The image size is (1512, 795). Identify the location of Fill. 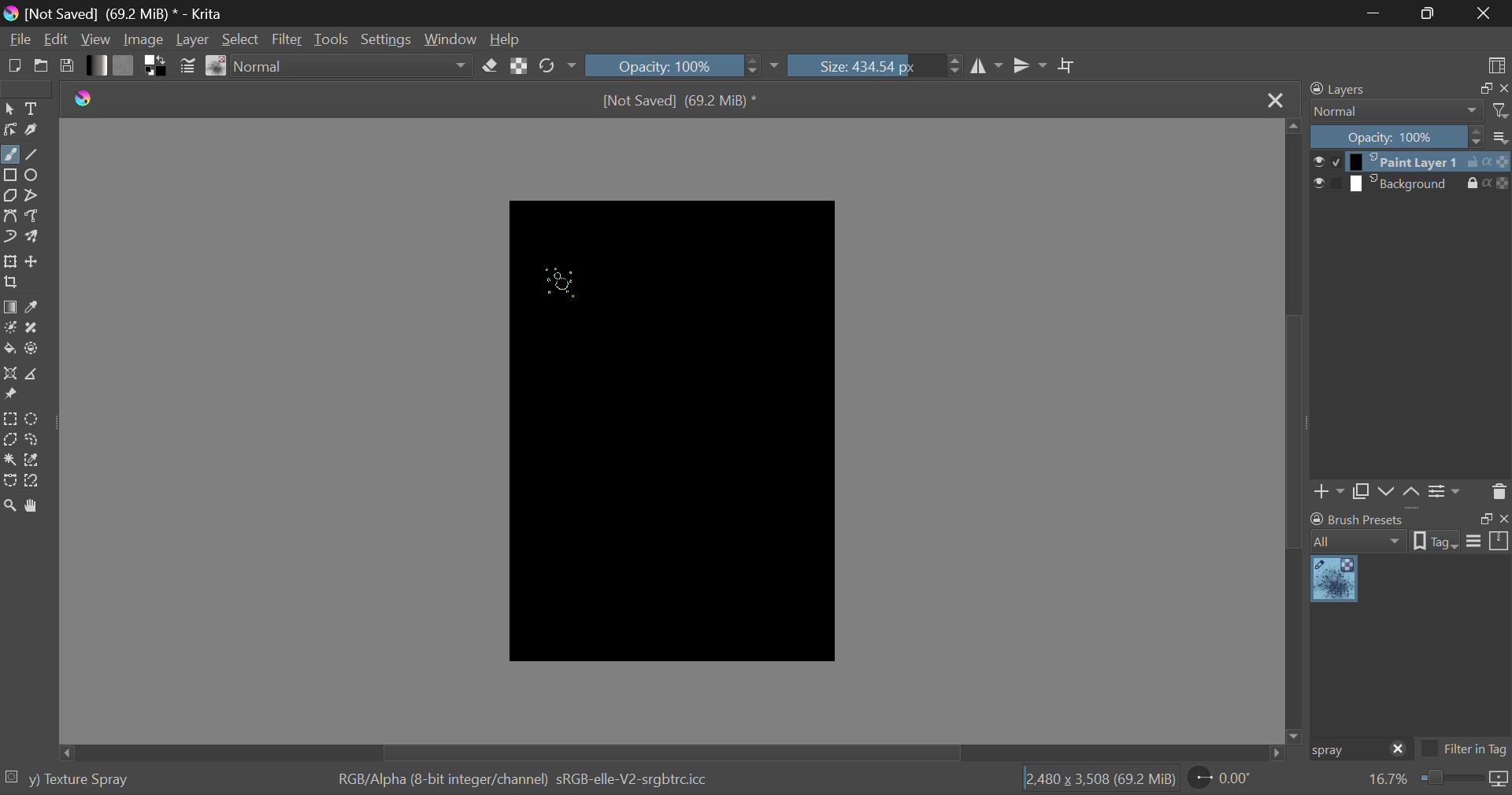
(9, 349).